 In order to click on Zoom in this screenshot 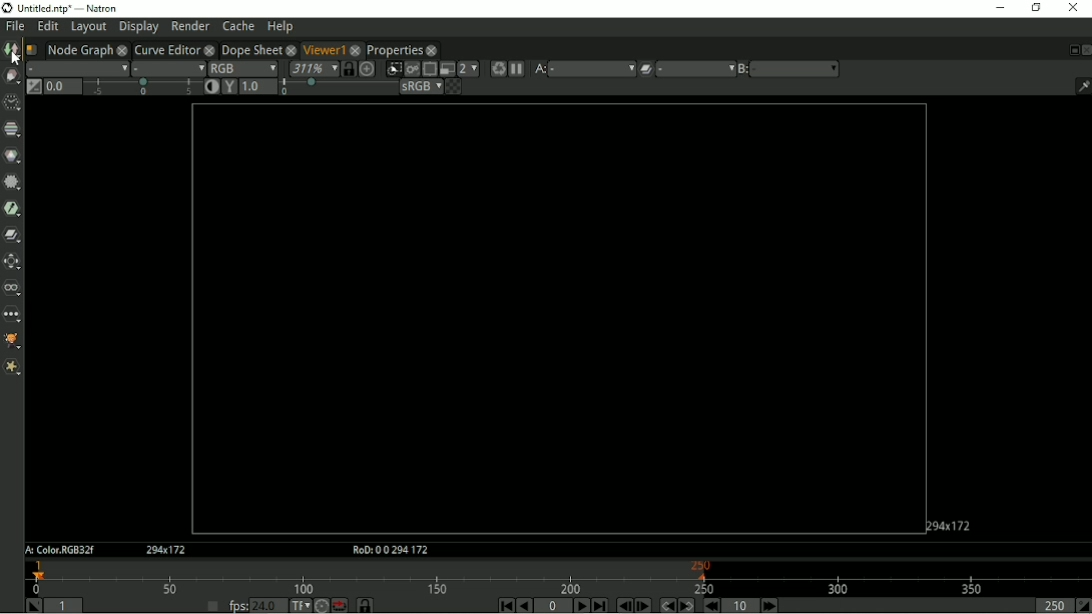, I will do `click(312, 68)`.